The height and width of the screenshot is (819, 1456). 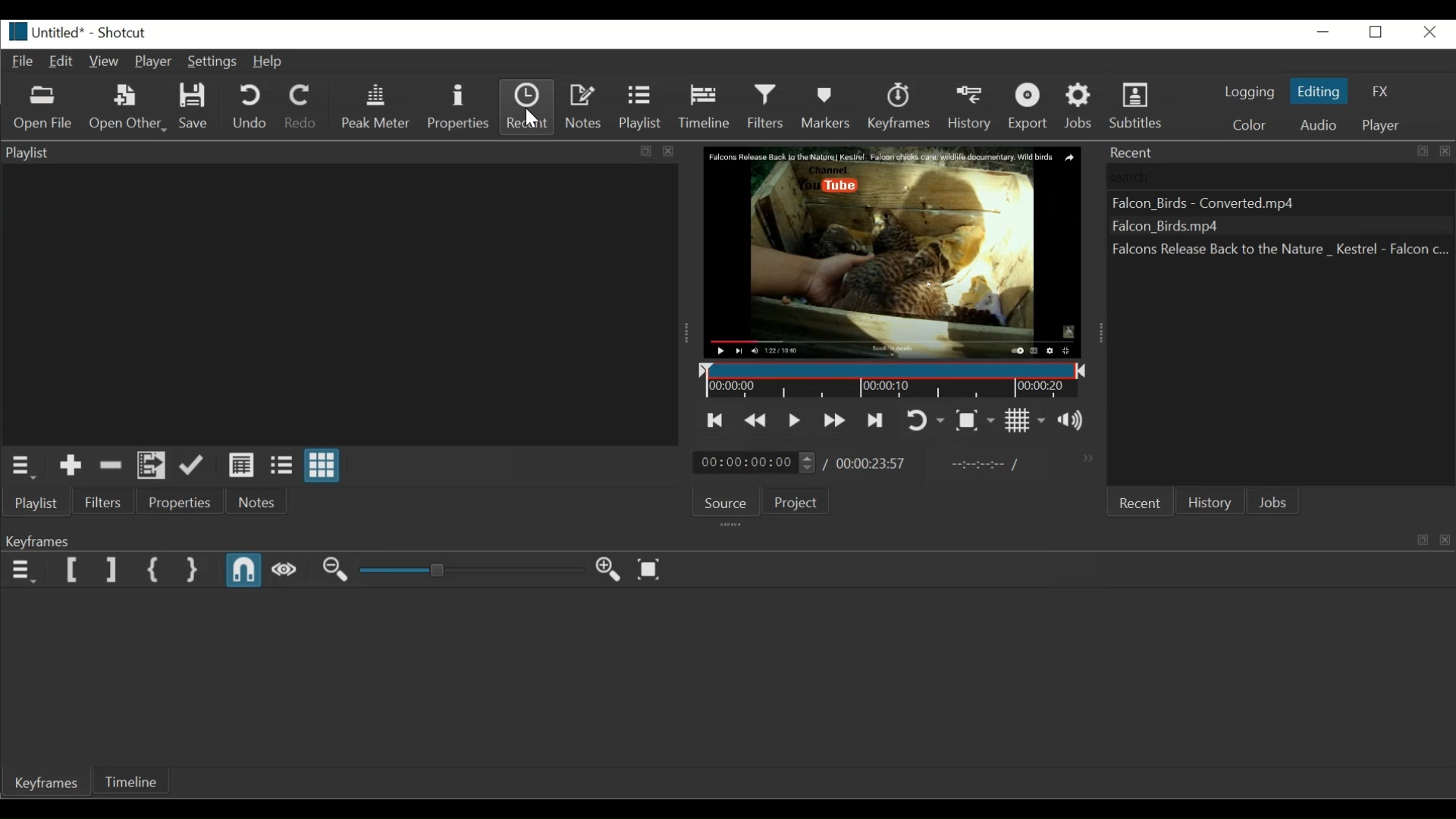 I want to click on Recent , so click(x=1279, y=151).